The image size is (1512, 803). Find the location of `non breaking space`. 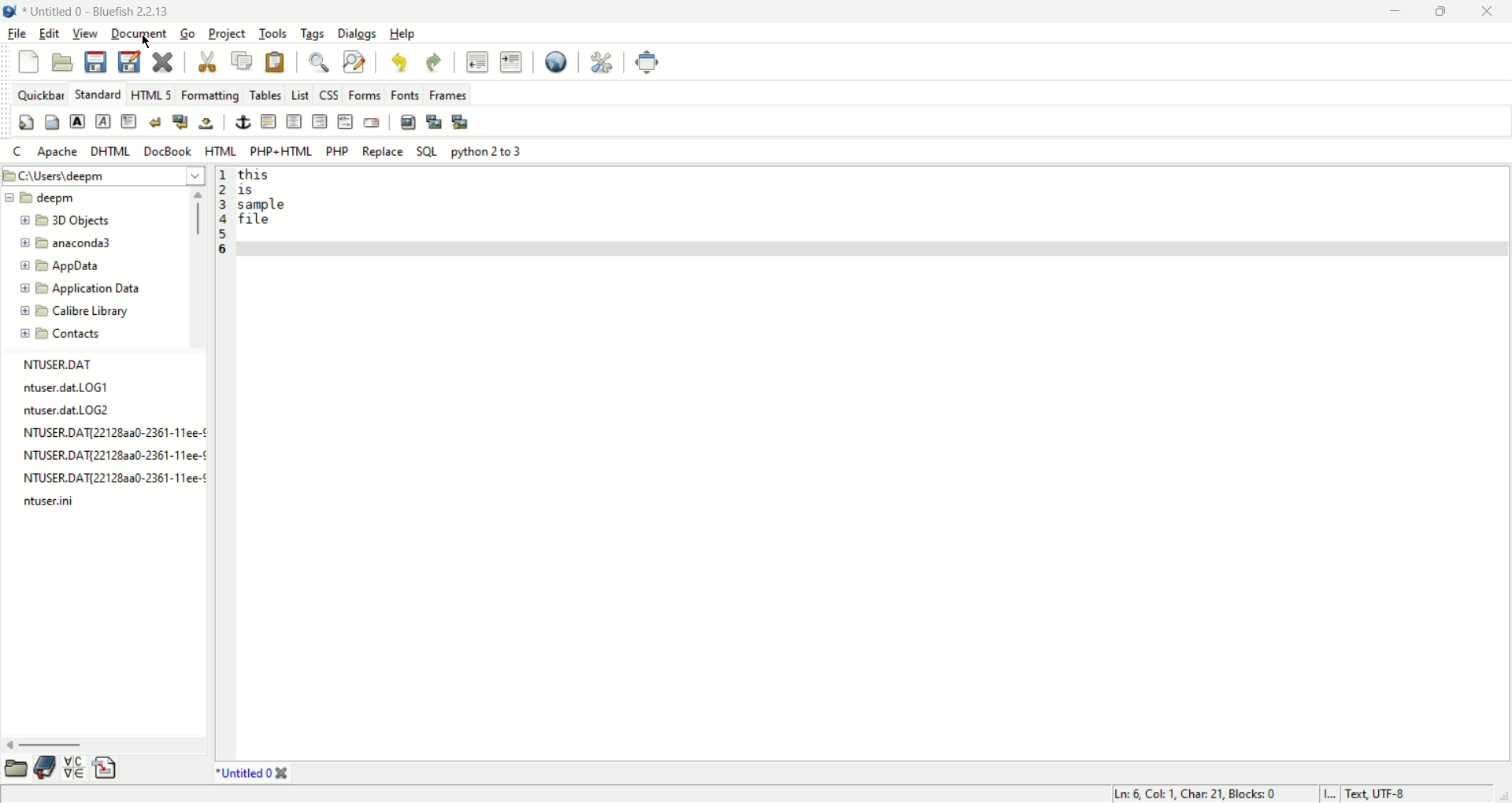

non breaking space is located at coordinates (205, 124).